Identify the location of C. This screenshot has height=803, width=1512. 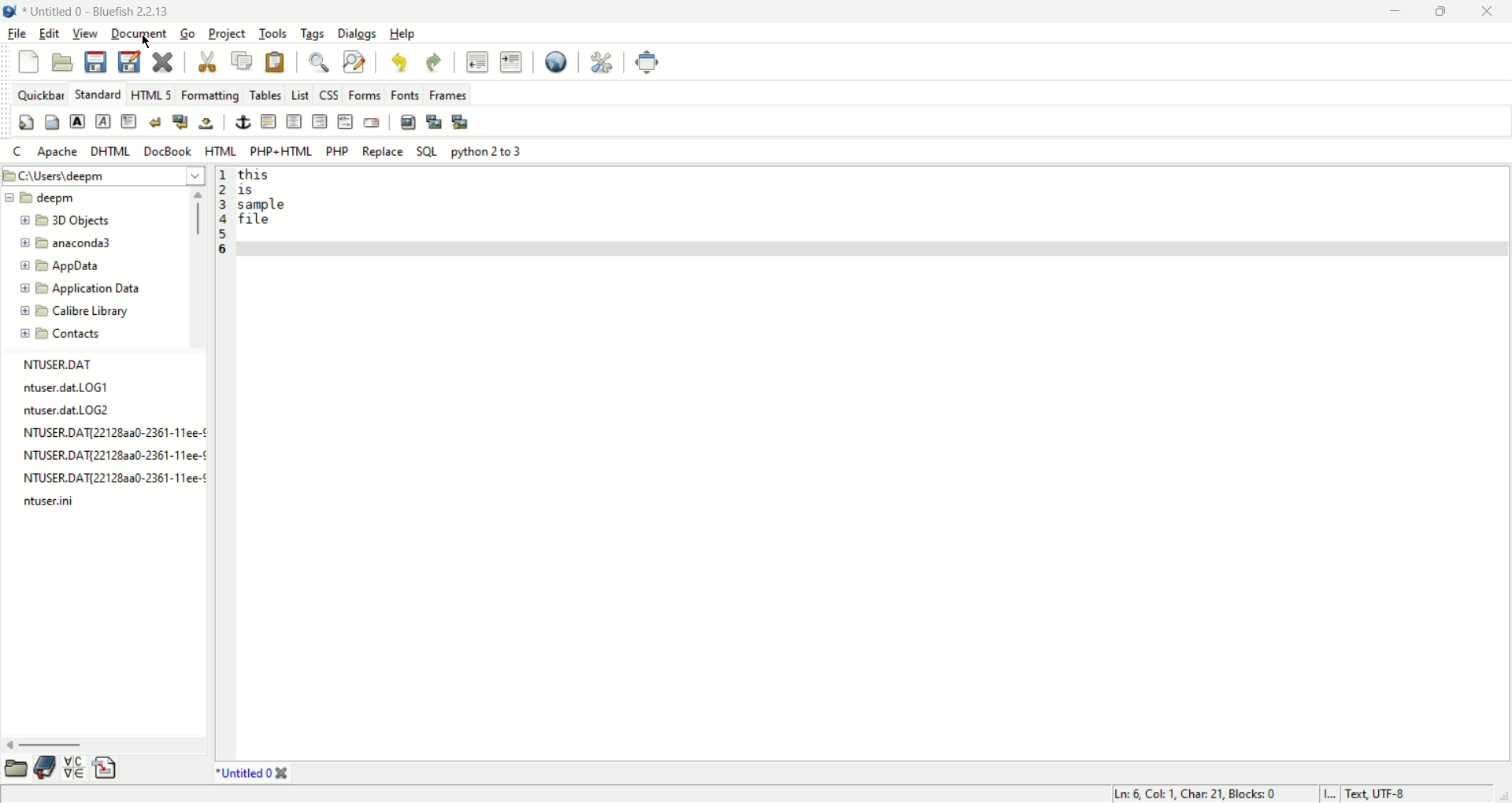
(16, 152).